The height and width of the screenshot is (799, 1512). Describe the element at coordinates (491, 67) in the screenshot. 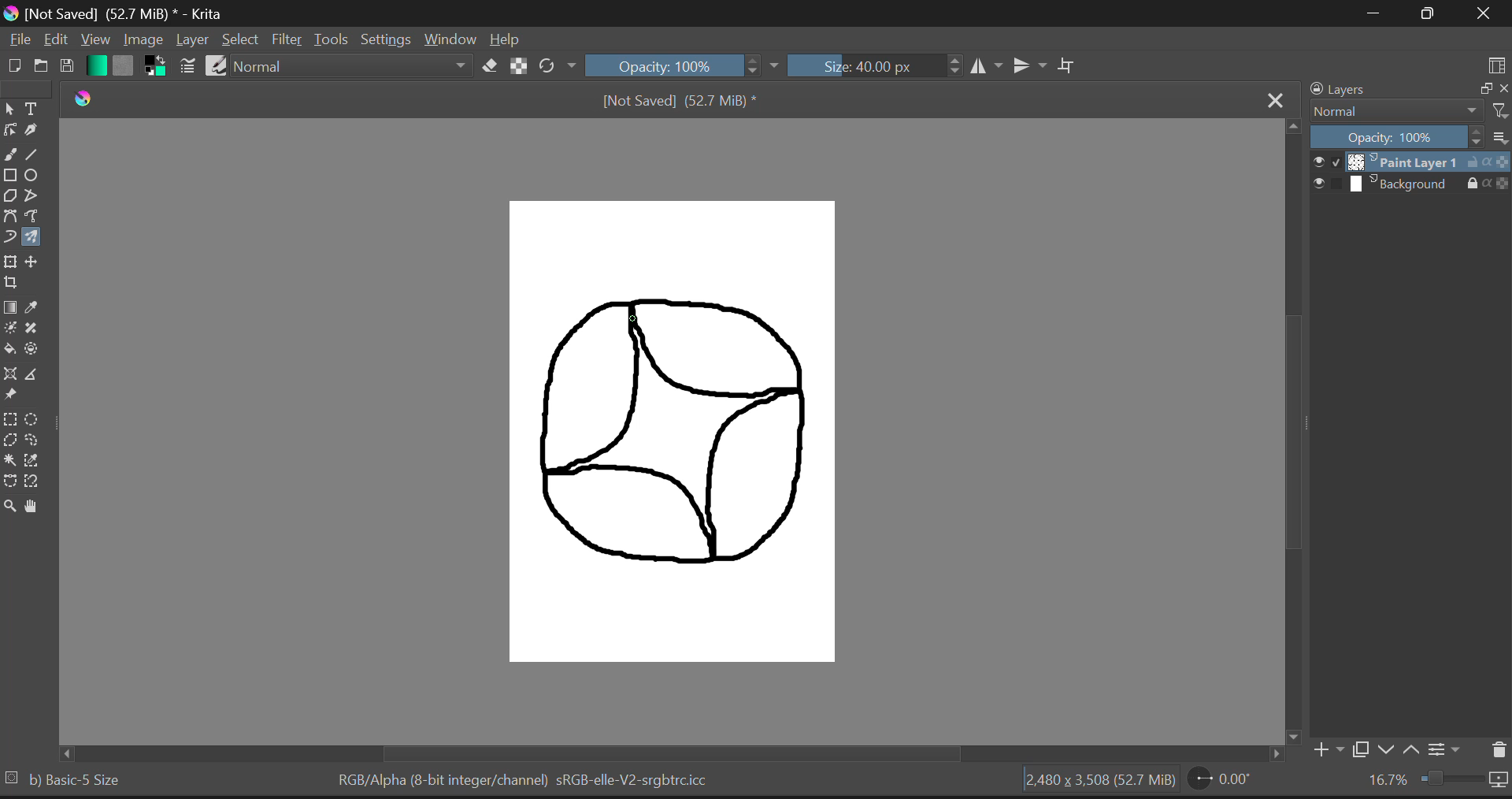

I see `Erase` at that location.